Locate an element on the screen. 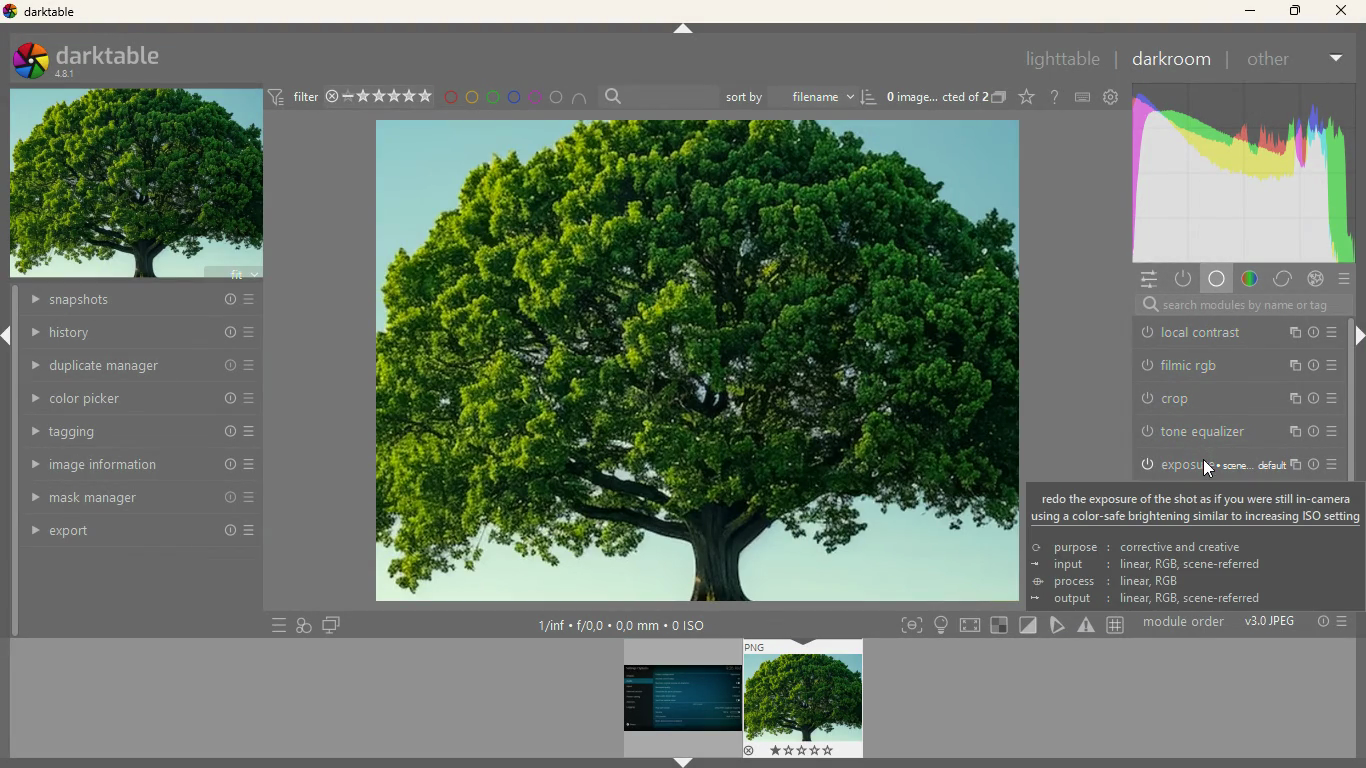 The height and width of the screenshot is (768, 1366). duplicate manager is located at coordinates (137, 364).